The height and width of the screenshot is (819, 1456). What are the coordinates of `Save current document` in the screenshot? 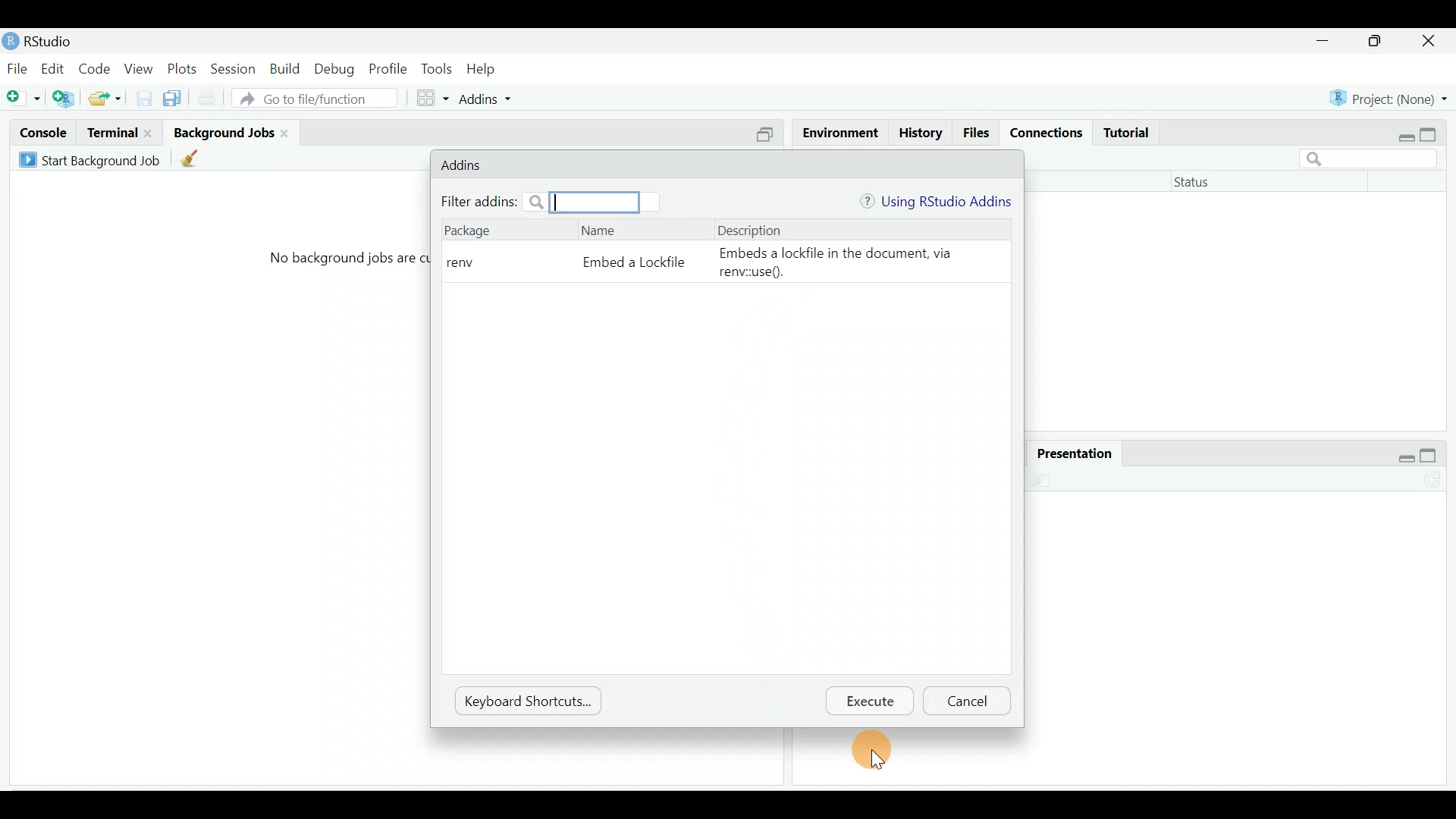 It's located at (140, 100).